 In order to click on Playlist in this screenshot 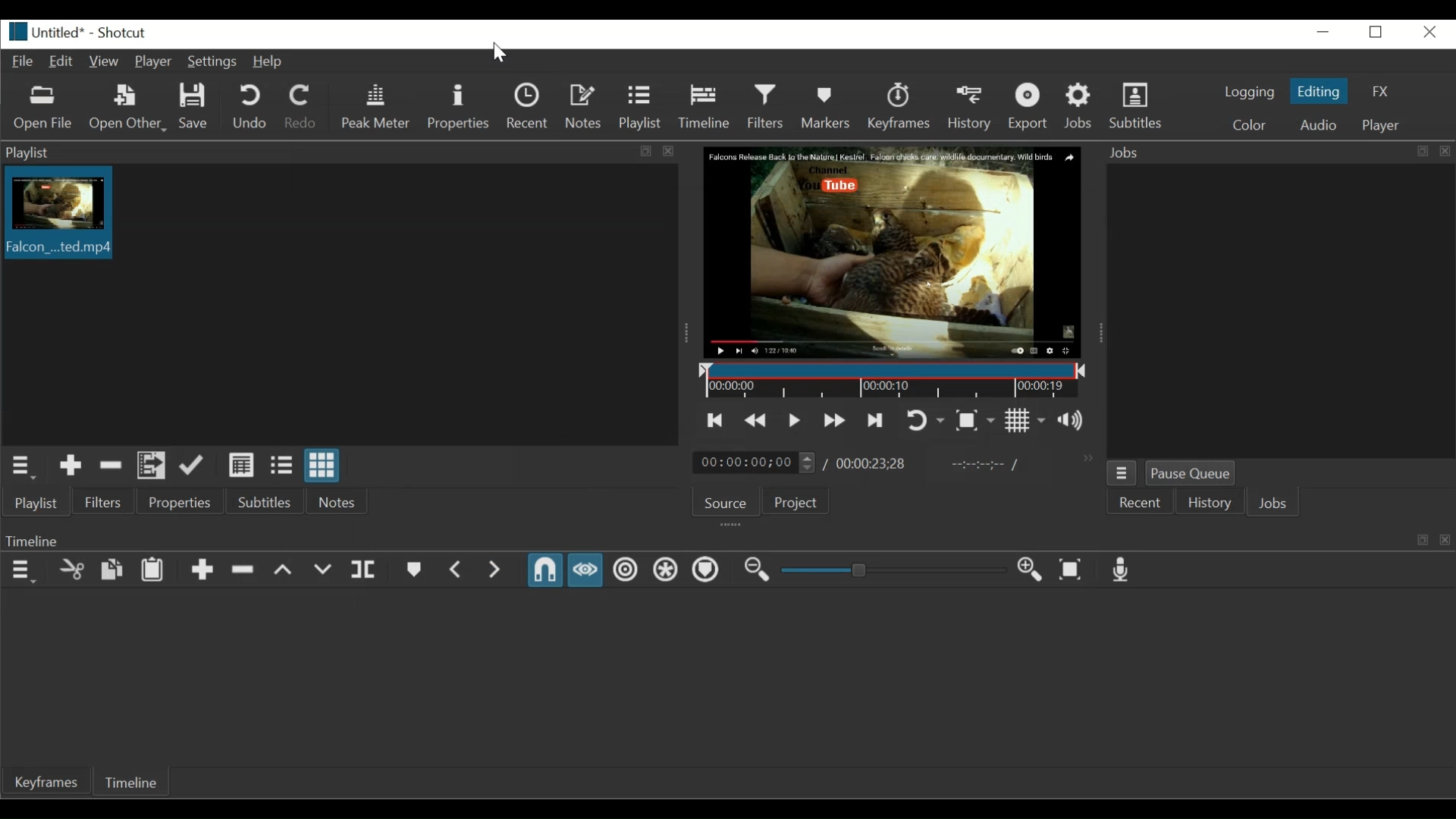, I will do `click(338, 152)`.